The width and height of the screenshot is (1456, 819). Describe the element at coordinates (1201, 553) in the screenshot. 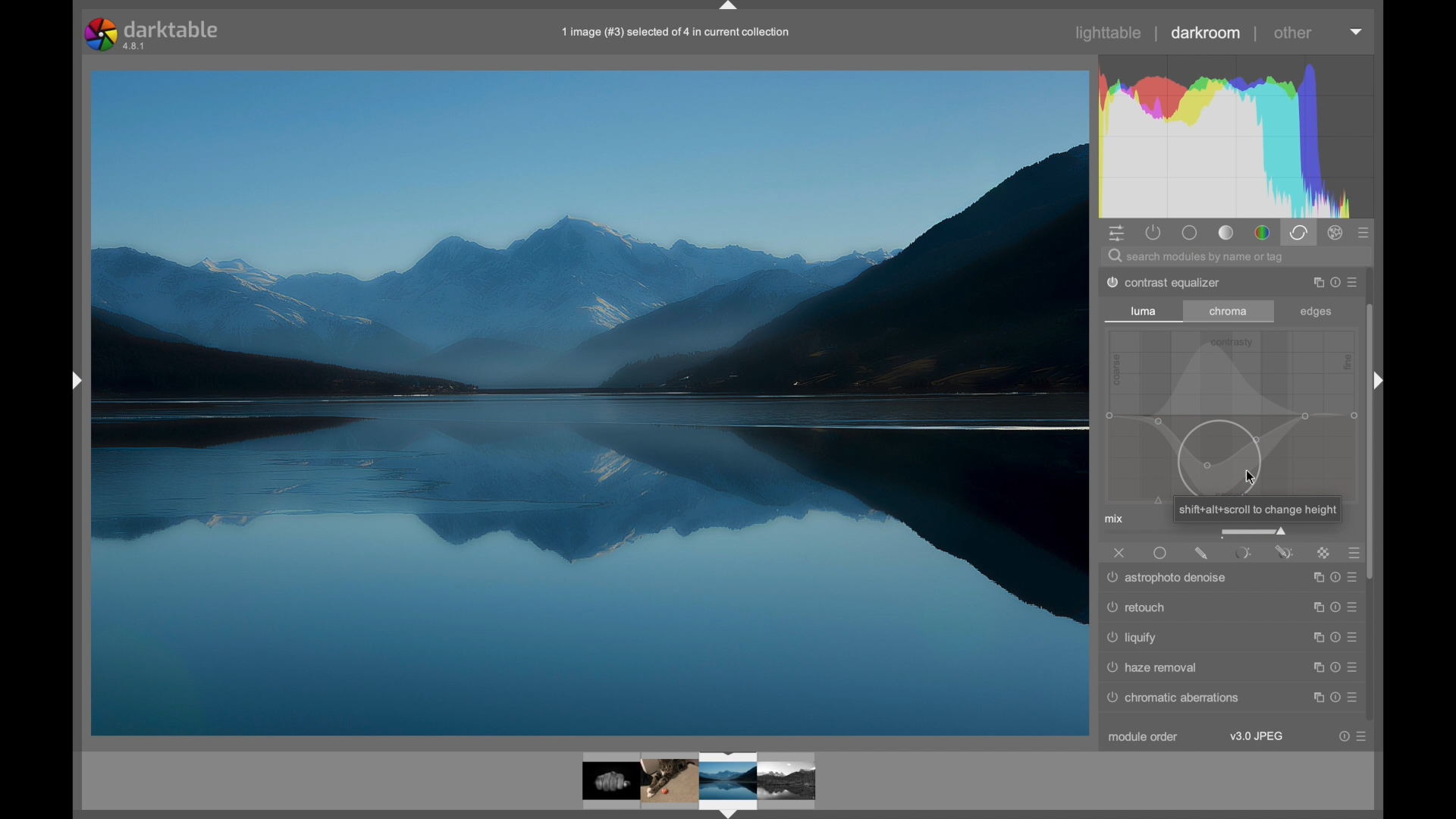

I see `drawnmask` at that location.